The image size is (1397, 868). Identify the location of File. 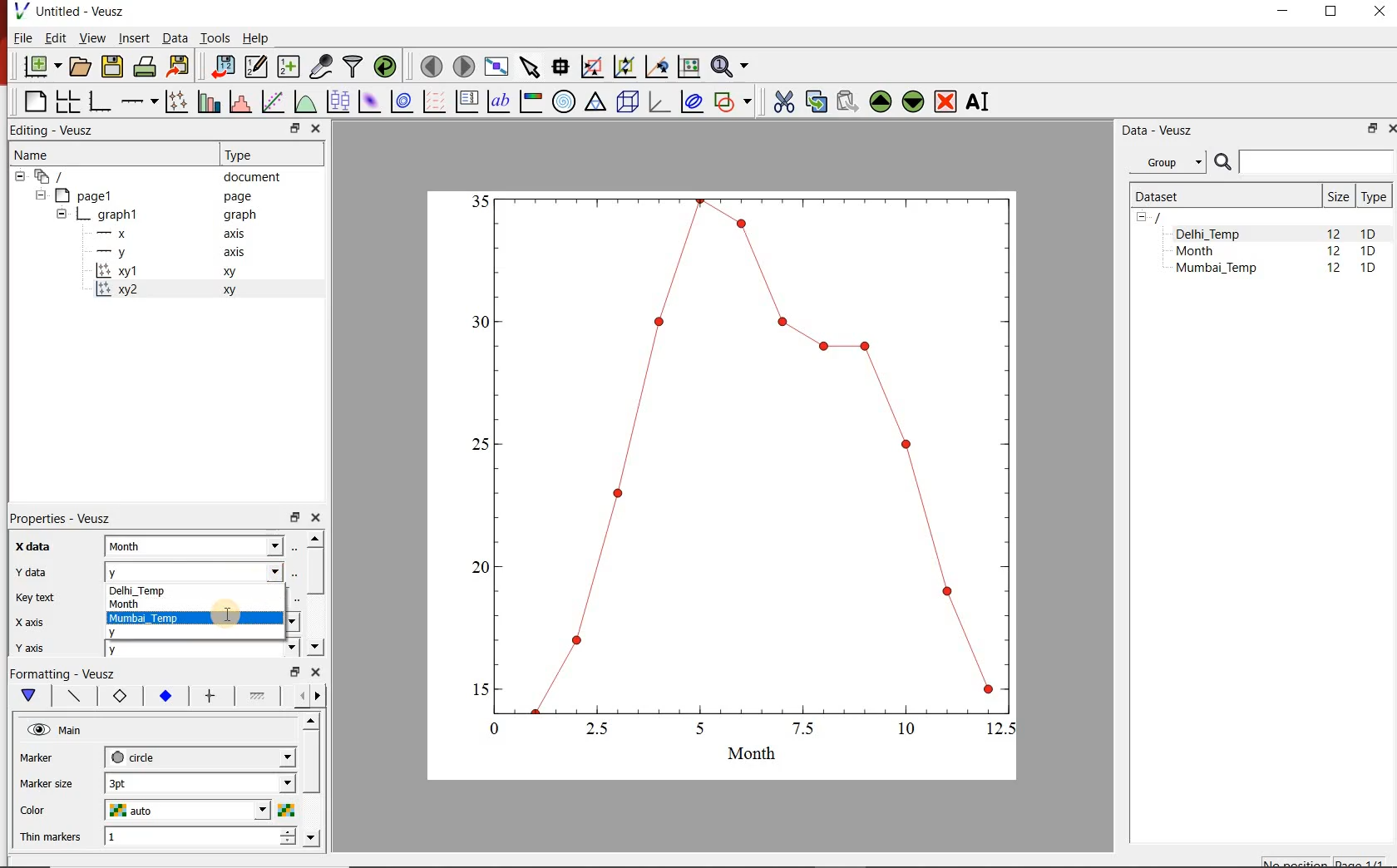
(22, 37).